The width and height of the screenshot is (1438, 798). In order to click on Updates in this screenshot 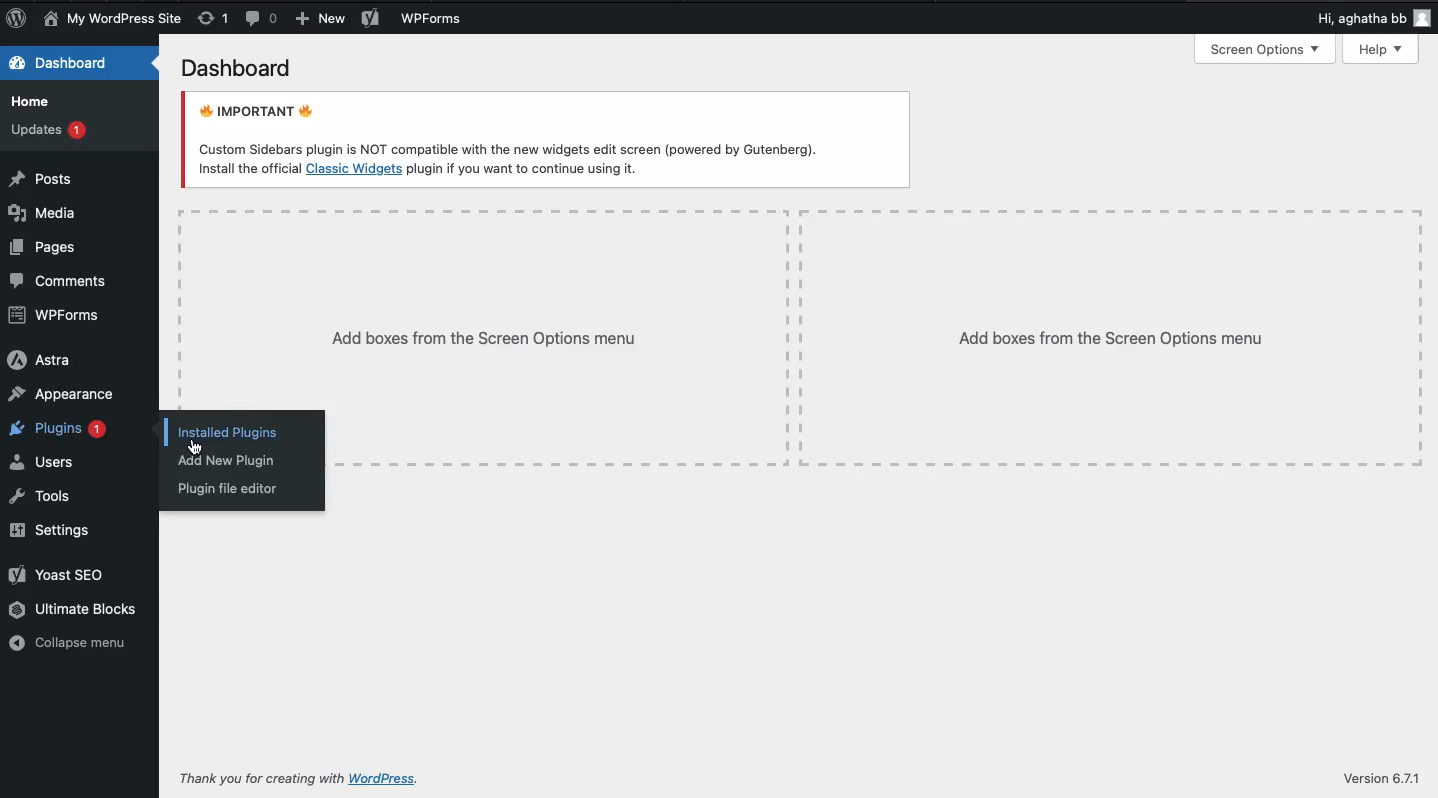, I will do `click(47, 128)`.